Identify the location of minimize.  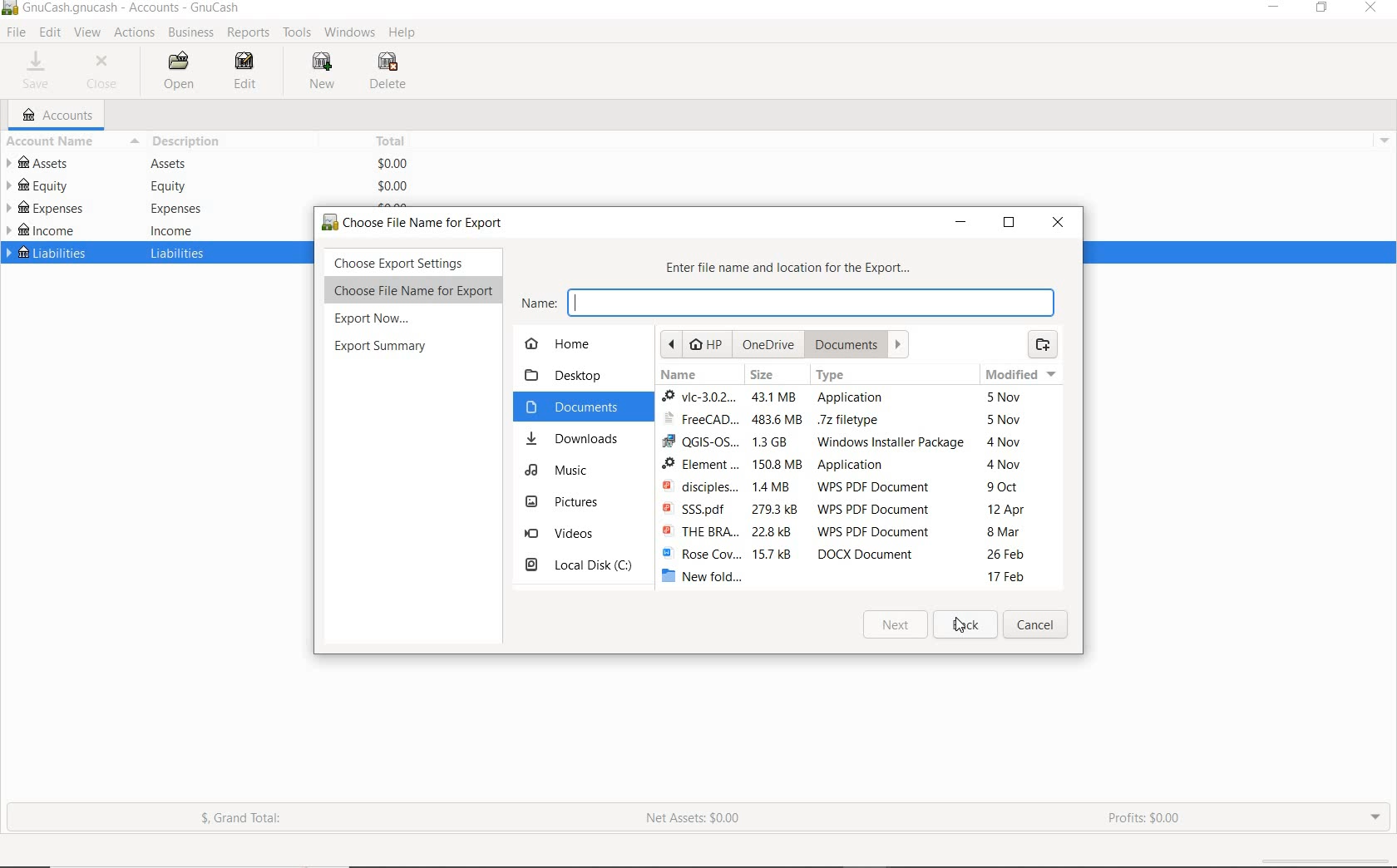
(960, 219).